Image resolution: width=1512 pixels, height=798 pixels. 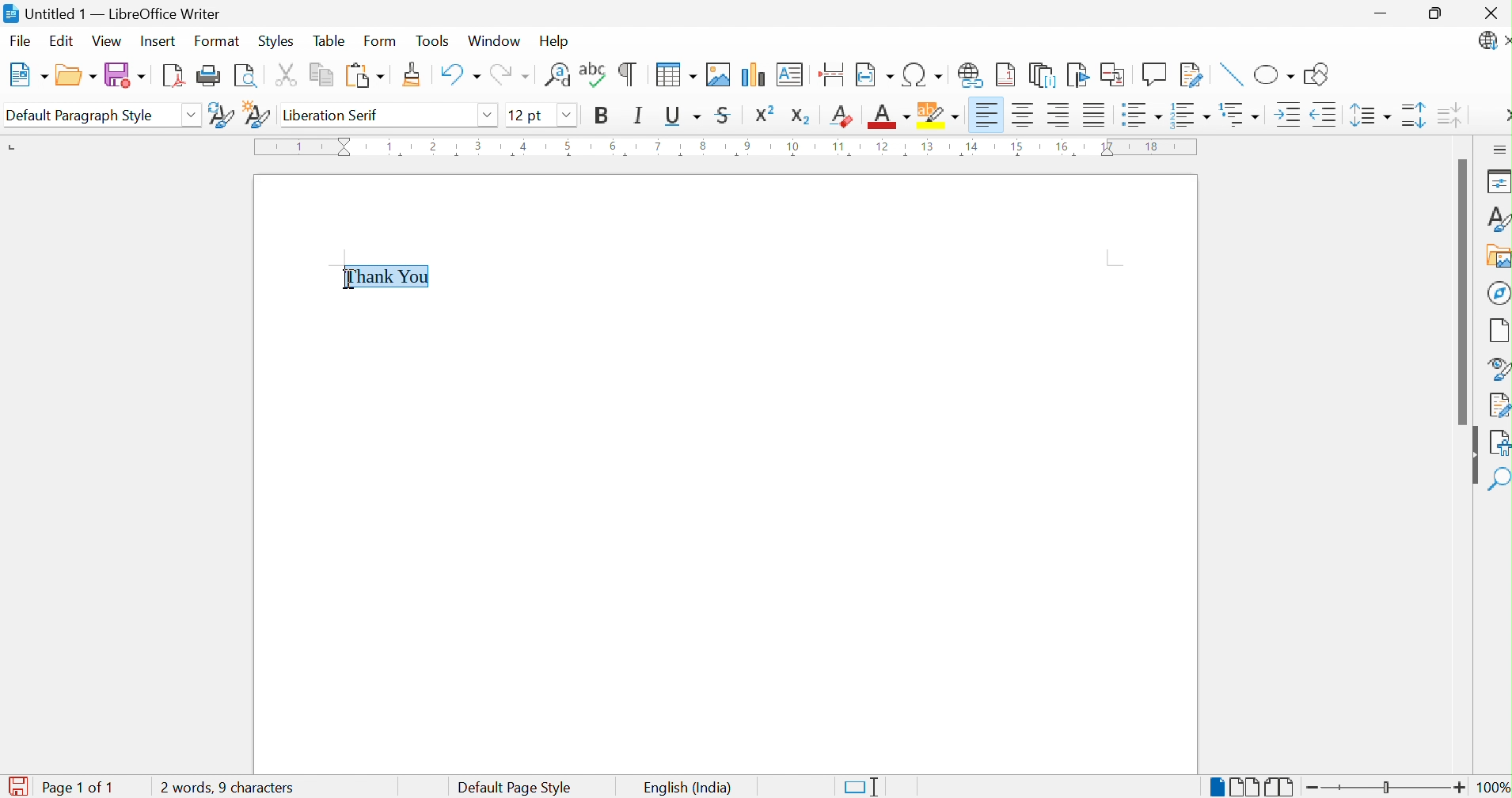 What do you see at coordinates (227, 788) in the screenshot?
I see `0 words, 0 characters` at bounding box center [227, 788].